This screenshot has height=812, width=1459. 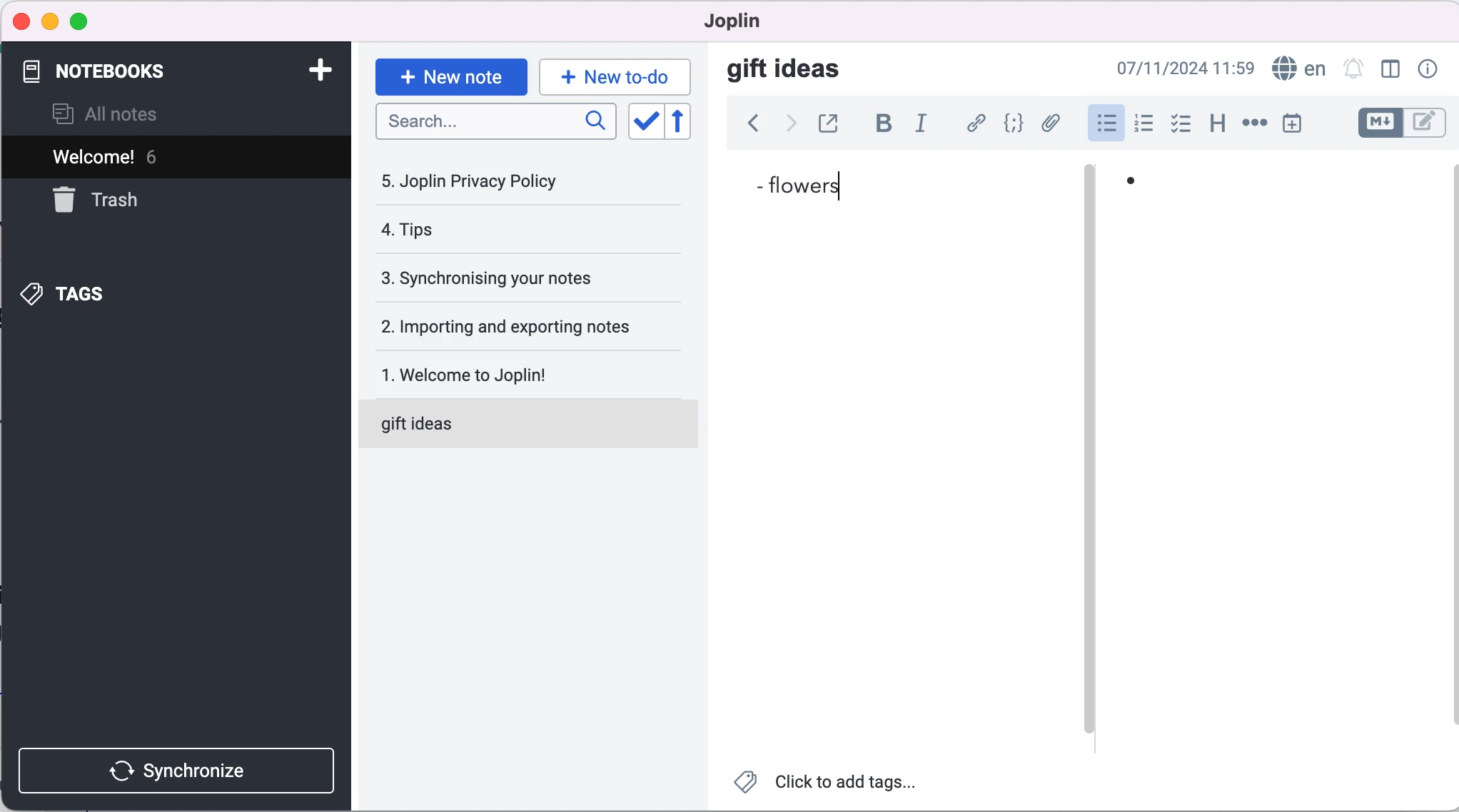 I want to click on insert time, so click(x=1297, y=126).